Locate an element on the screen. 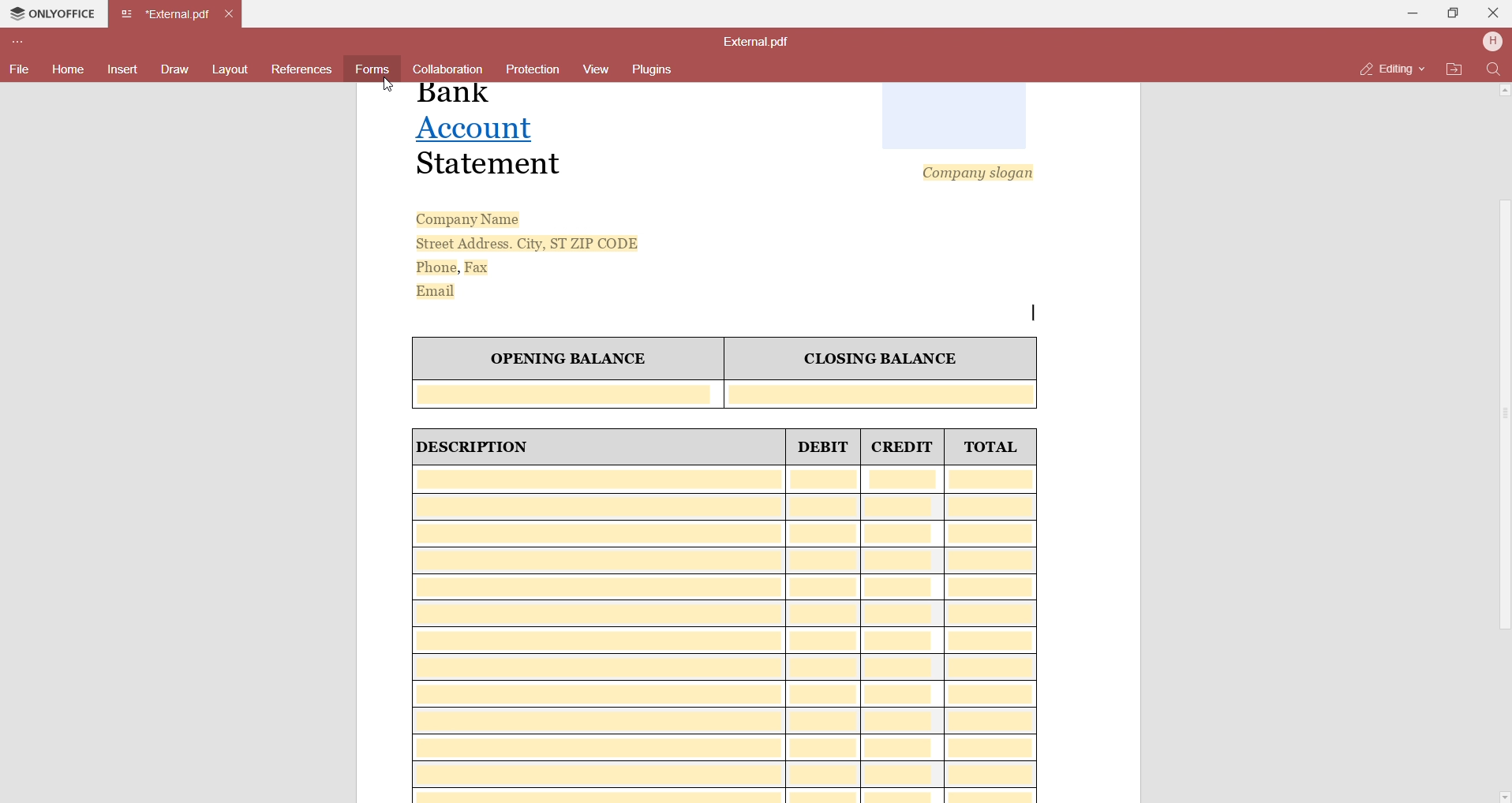 The width and height of the screenshot is (1512, 803). File is located at coordinates (20, 69).